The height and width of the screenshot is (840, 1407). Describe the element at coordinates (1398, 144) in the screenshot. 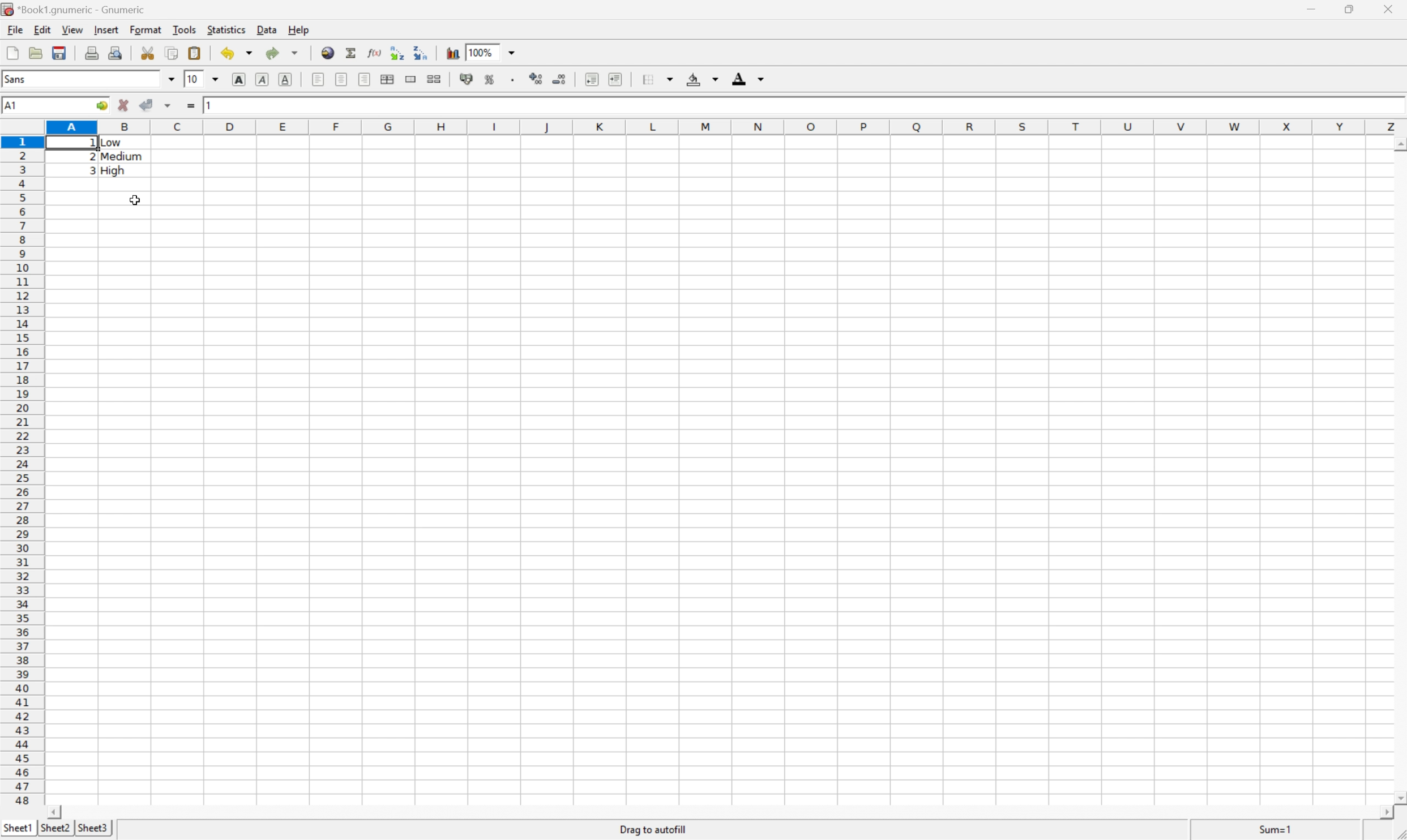

I see `Scroll Up` at that location.